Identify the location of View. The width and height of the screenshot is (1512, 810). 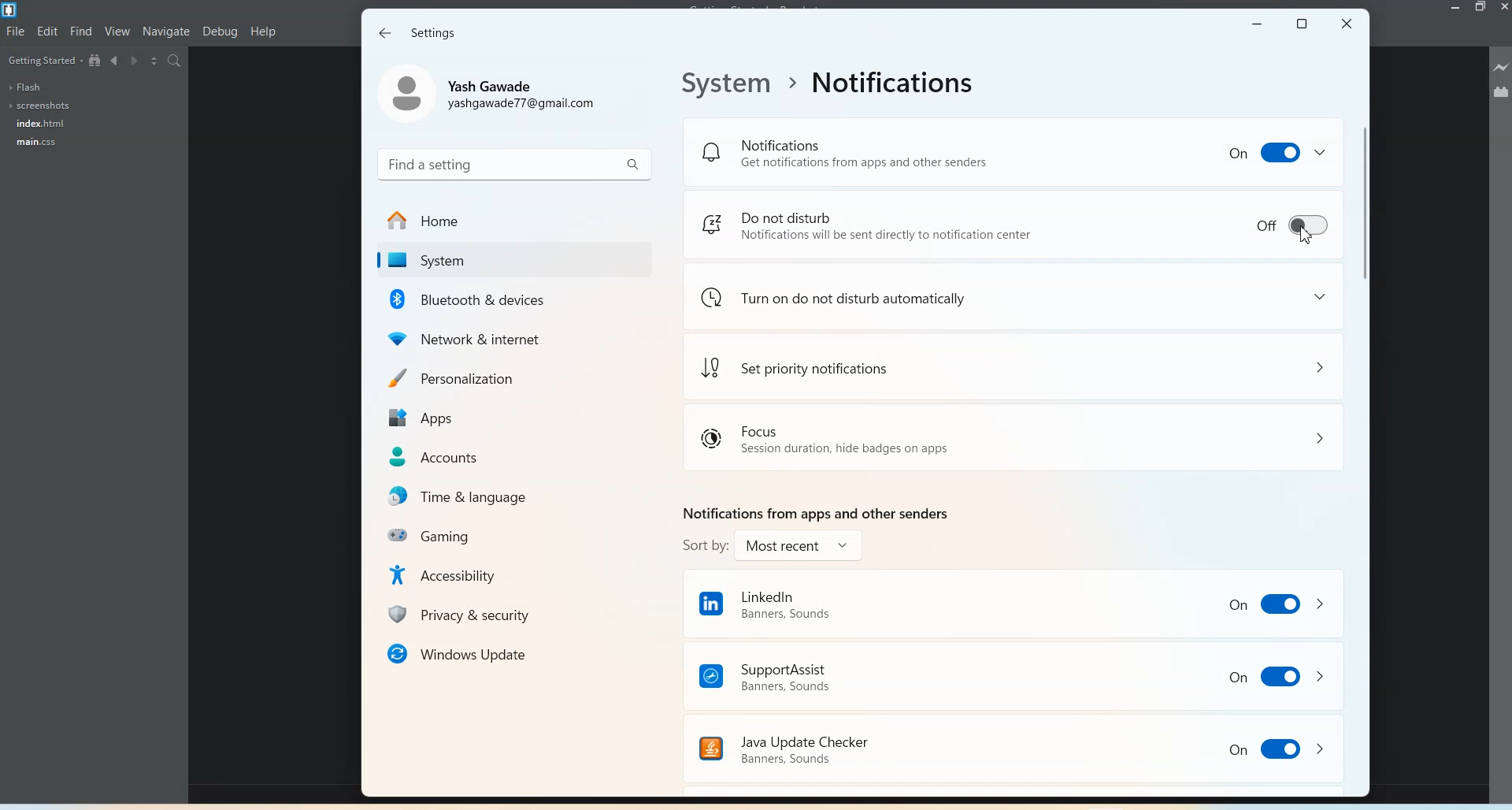
(117, 32).